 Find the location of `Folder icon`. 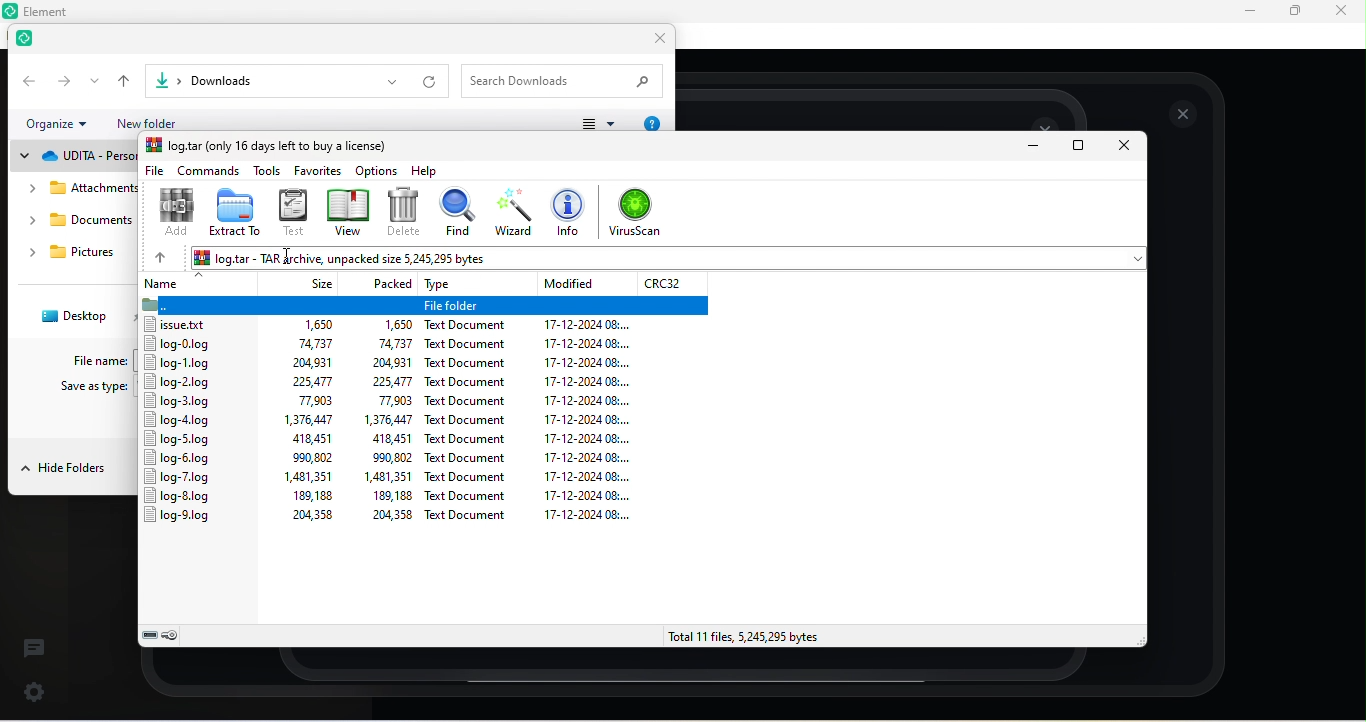

Folder icon is located at coordinates (159, 305).